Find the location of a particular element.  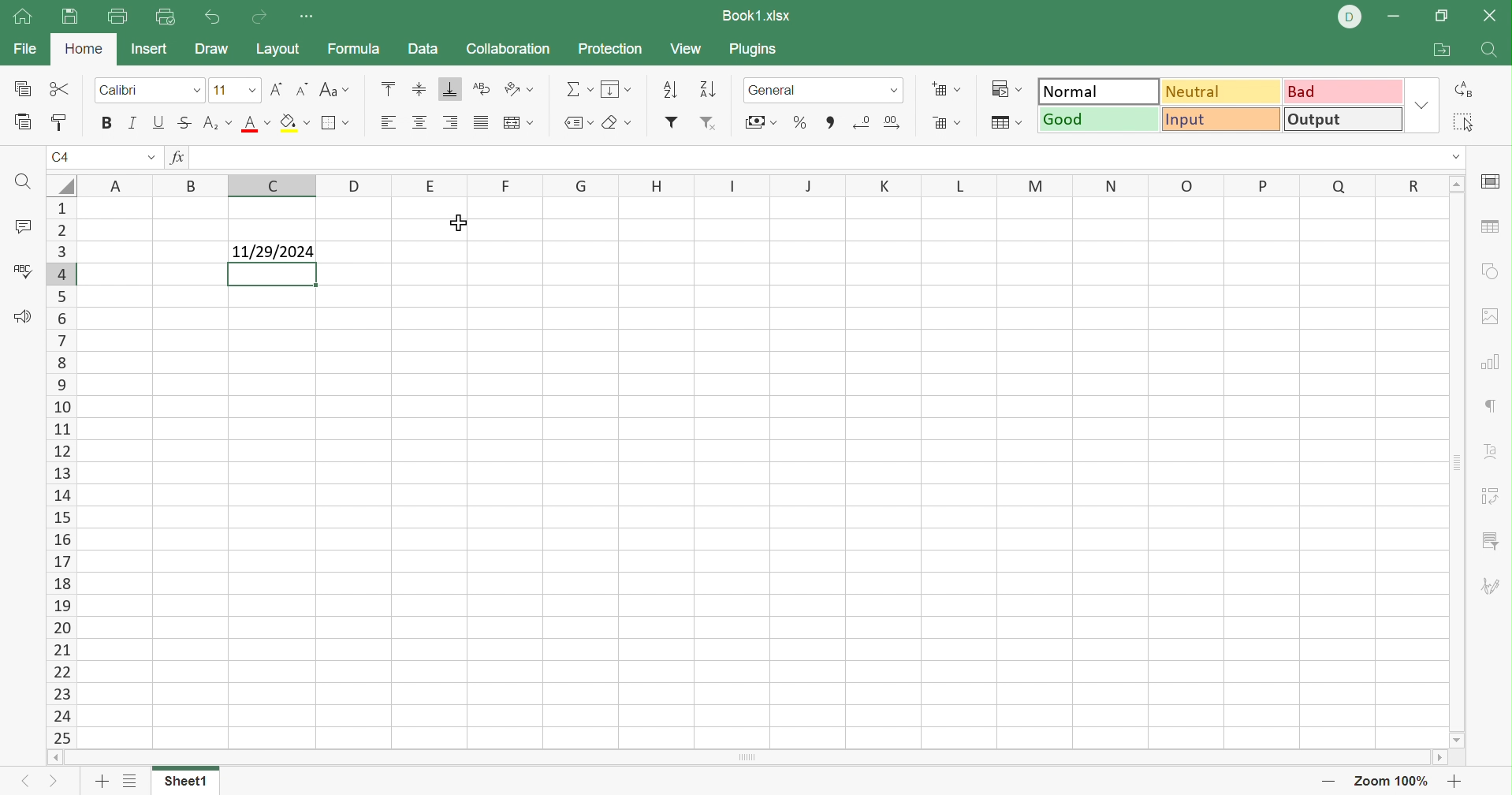

List of sheets is located at coordinates (131, 781).